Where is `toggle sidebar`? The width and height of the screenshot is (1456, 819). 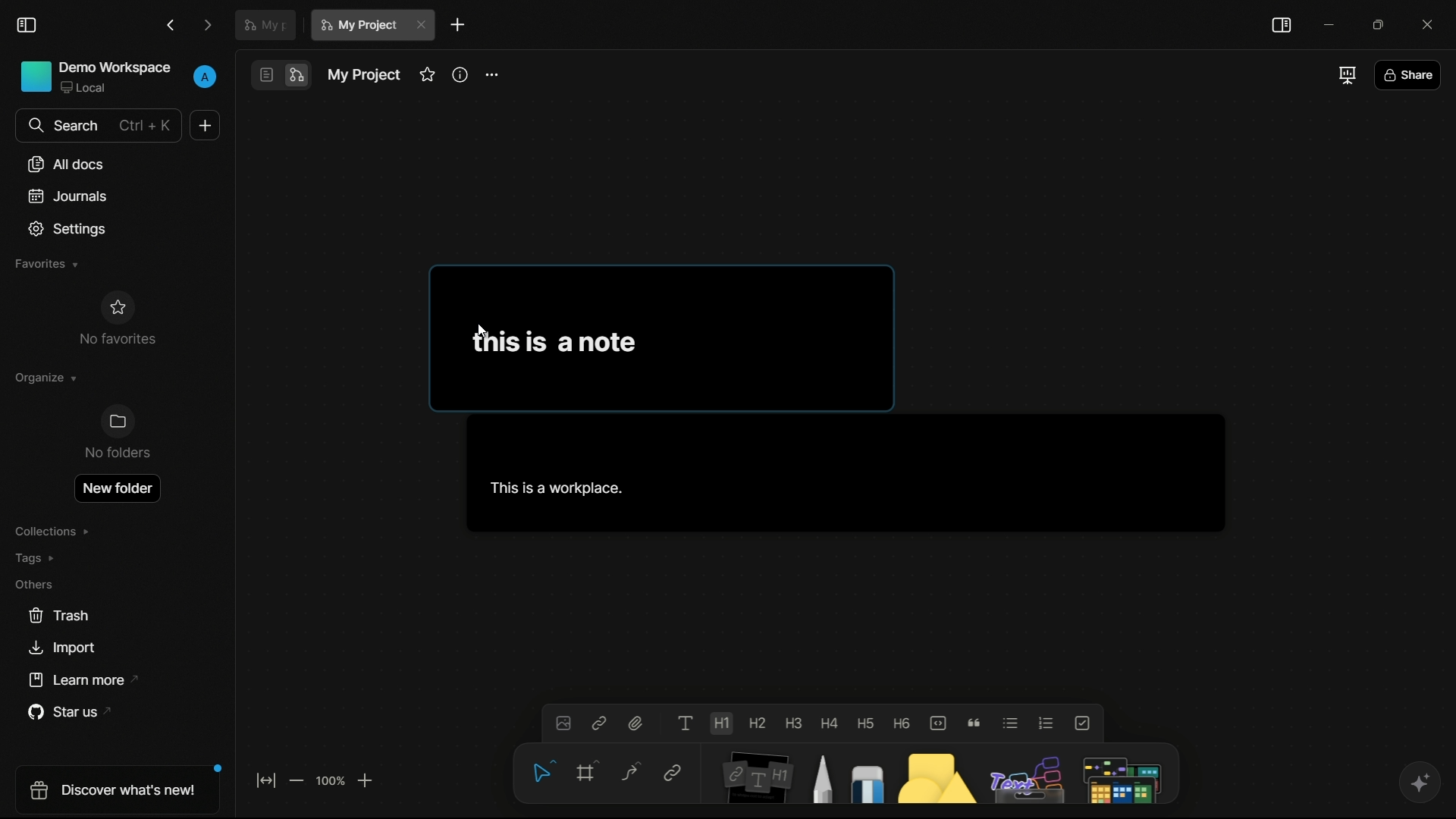 toggle sidebar is located at coordinates (1282, 26).